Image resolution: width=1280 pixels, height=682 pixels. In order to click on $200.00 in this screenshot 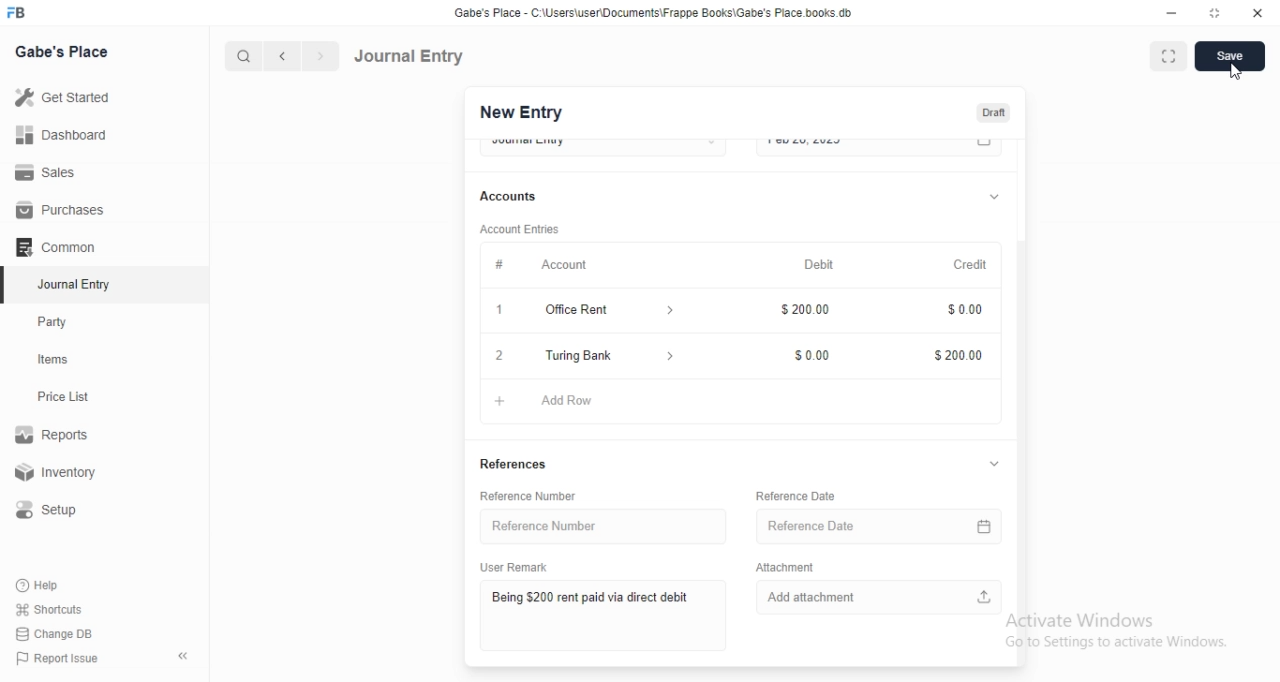, I will do `click(957, 357)`.